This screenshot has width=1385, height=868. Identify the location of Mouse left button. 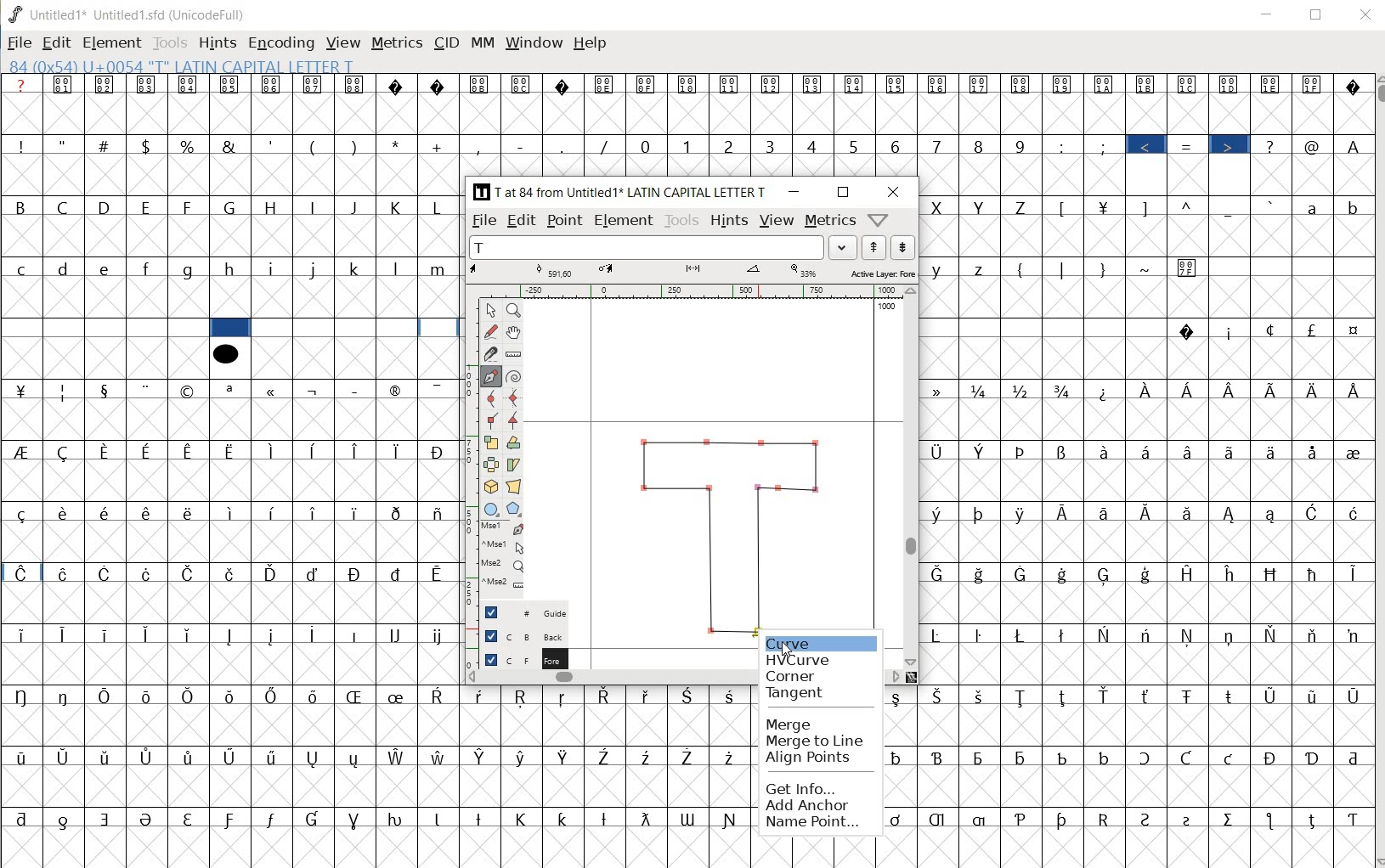
(504, 529).